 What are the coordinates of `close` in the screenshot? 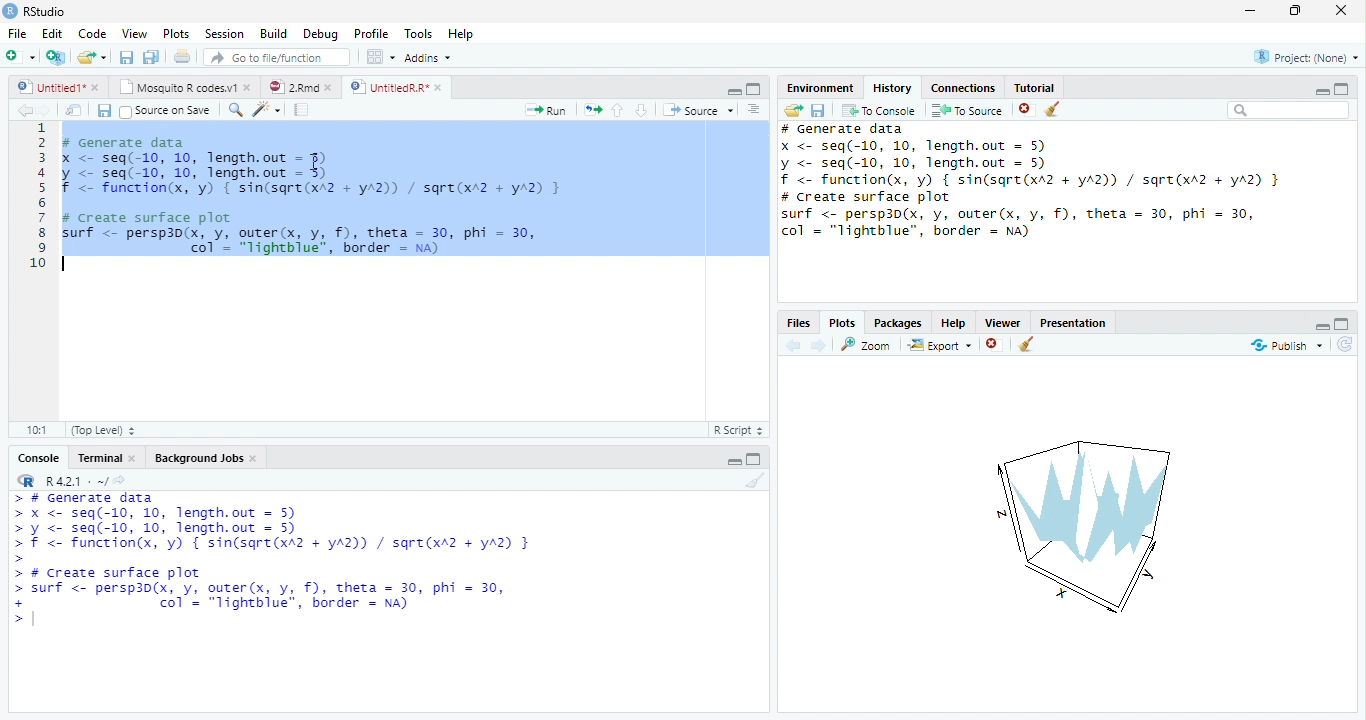 It's located at (96, 87).